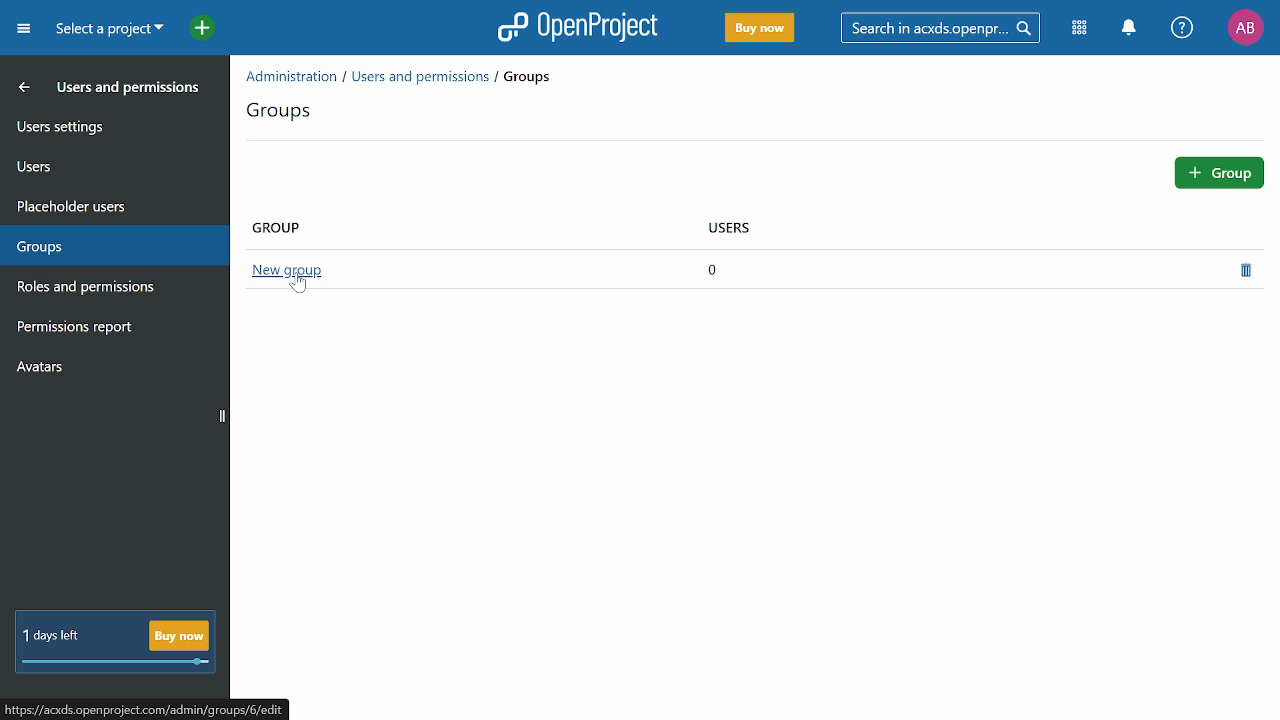 Image resolution: width=1280 pixels, height=720 pixels. I want to click on Users and permissoins, so click(130, 91).